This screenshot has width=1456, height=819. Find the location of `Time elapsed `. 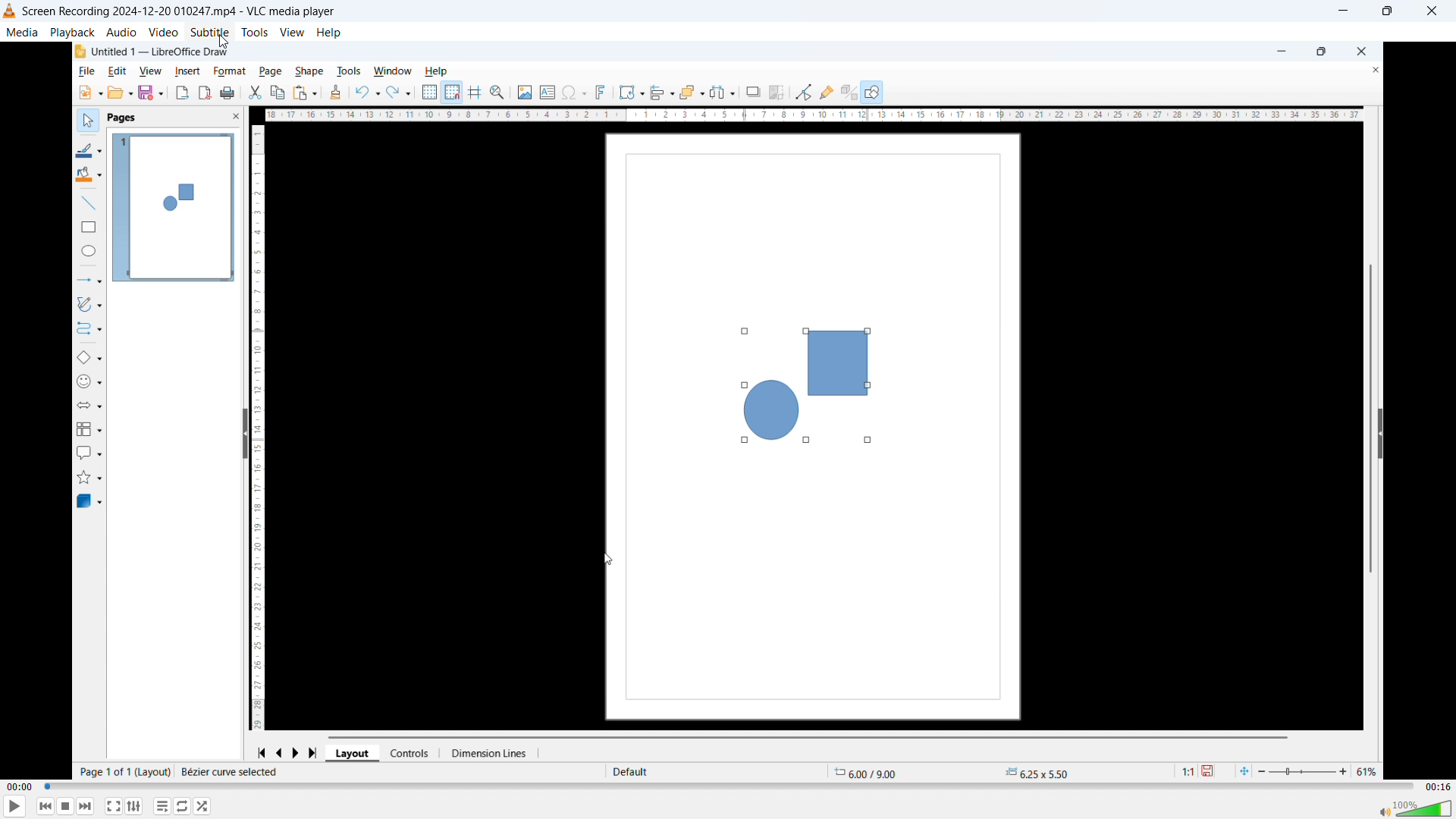

Time elapsed  is located at coordinates (20, 787).